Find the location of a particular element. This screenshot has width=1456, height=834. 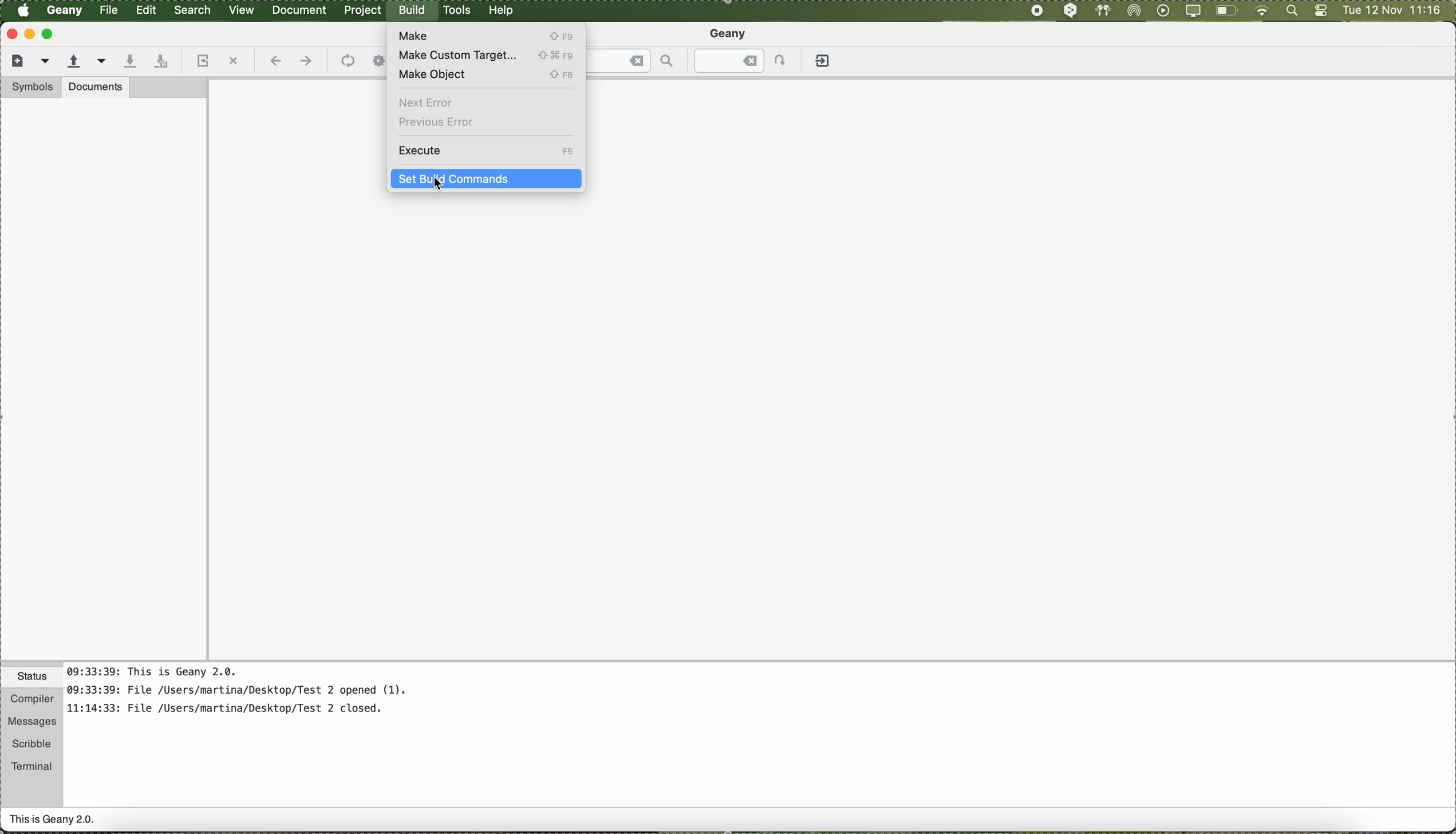

file is located at coordinates (110, 10).